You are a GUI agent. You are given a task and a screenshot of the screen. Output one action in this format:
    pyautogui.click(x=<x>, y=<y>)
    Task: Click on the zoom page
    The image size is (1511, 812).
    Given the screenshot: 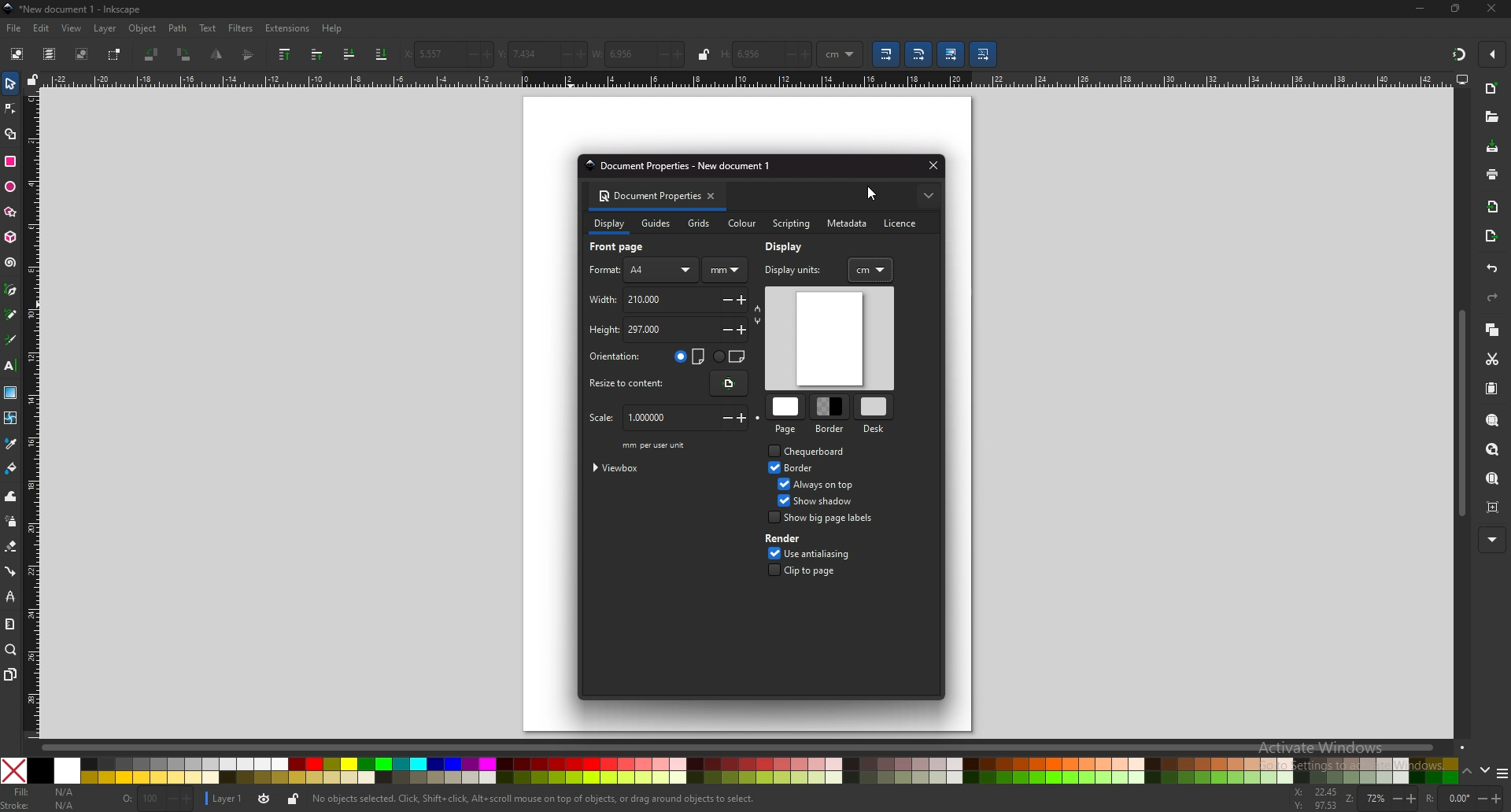 What is the action you would take?
    pyautogui.click(x=1493, y=478)
    